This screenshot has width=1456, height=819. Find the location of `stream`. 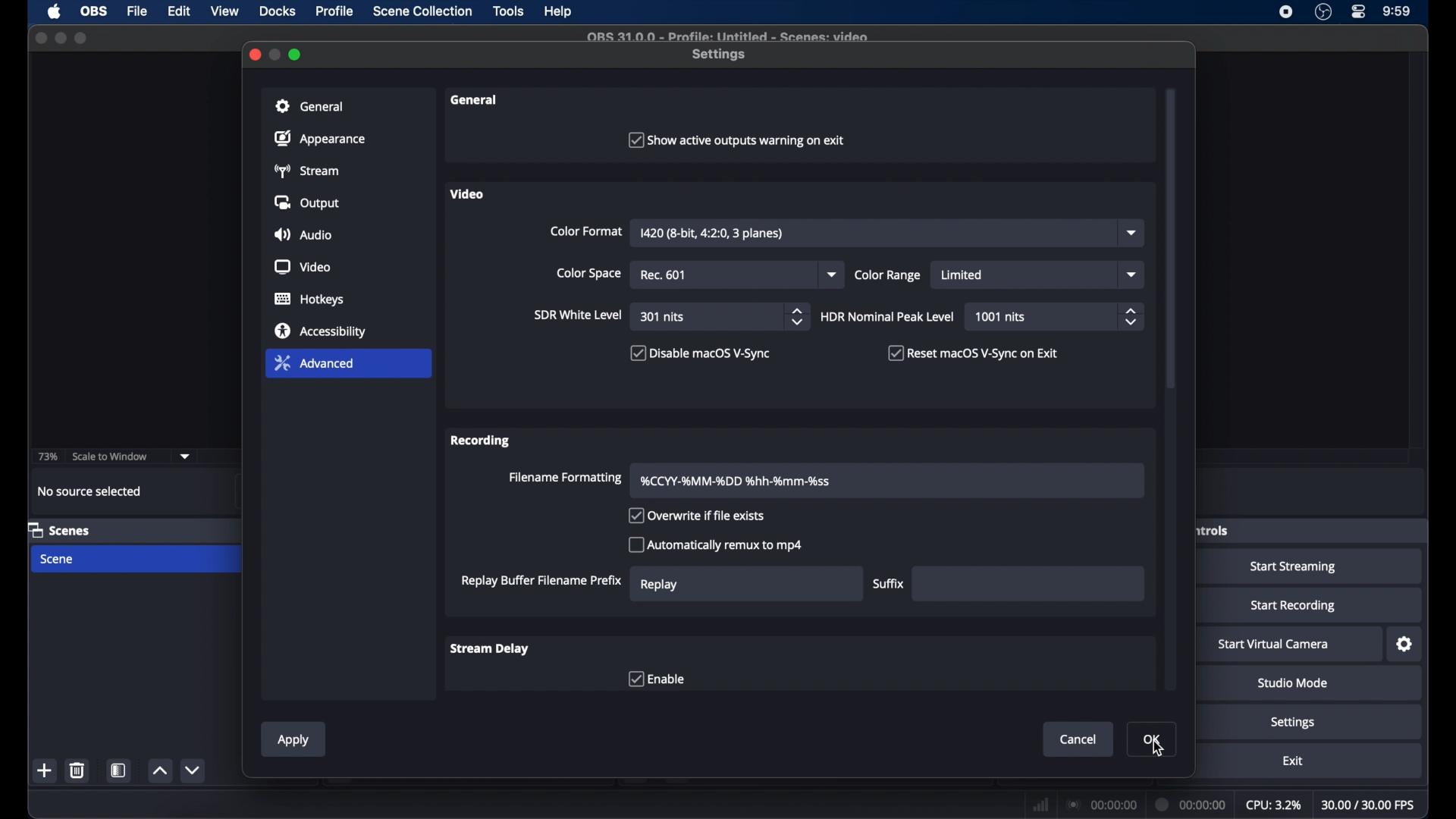

stream is located at coordinates (309, 171).